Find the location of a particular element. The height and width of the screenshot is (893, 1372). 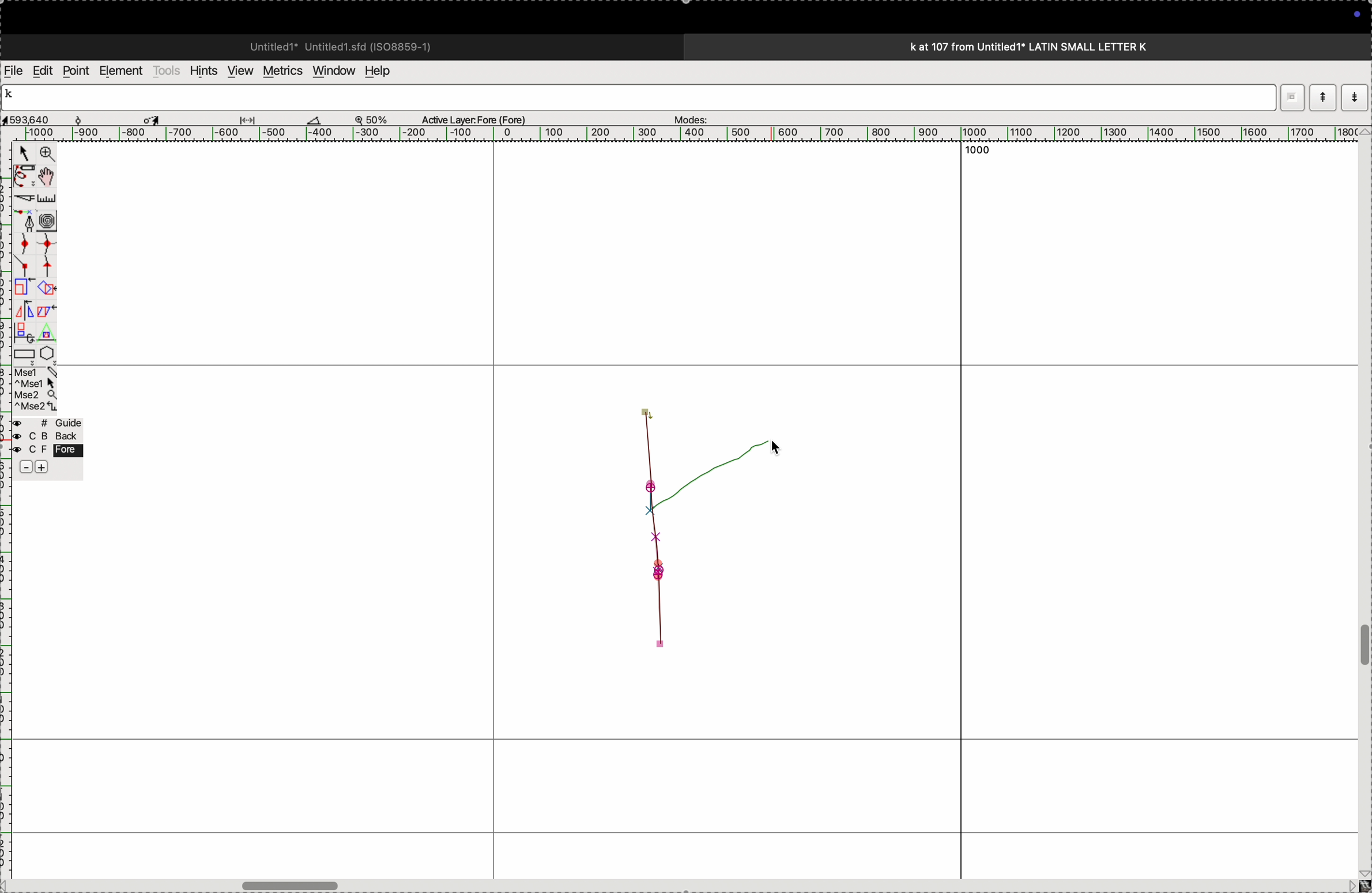

file is located at coordinates (14, 71).